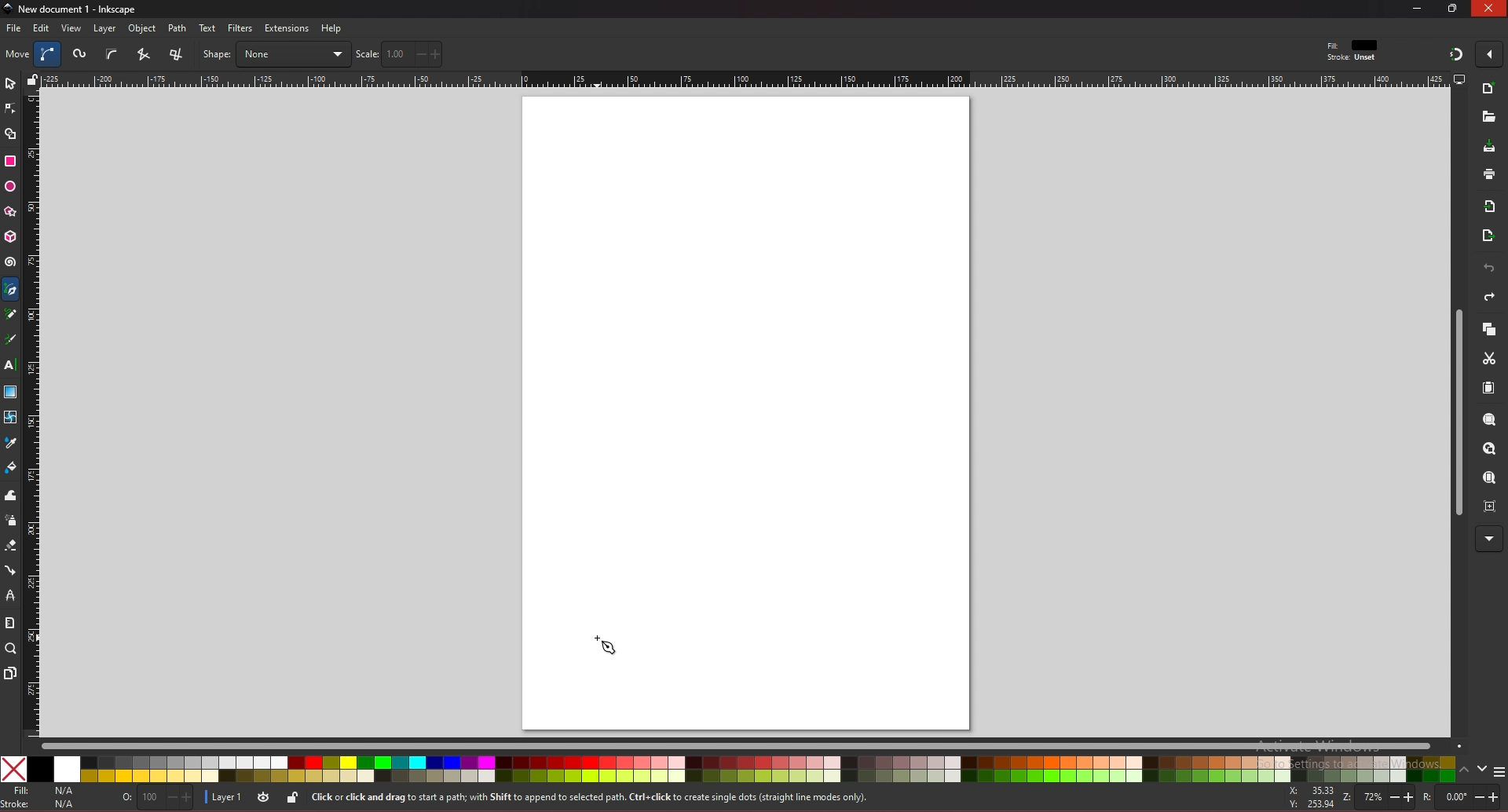 This screenshot has height=812, width=1508. What do you see at coordinates (588, 798) in the screenshot?
I see `info` at bounding box center [588, 798].